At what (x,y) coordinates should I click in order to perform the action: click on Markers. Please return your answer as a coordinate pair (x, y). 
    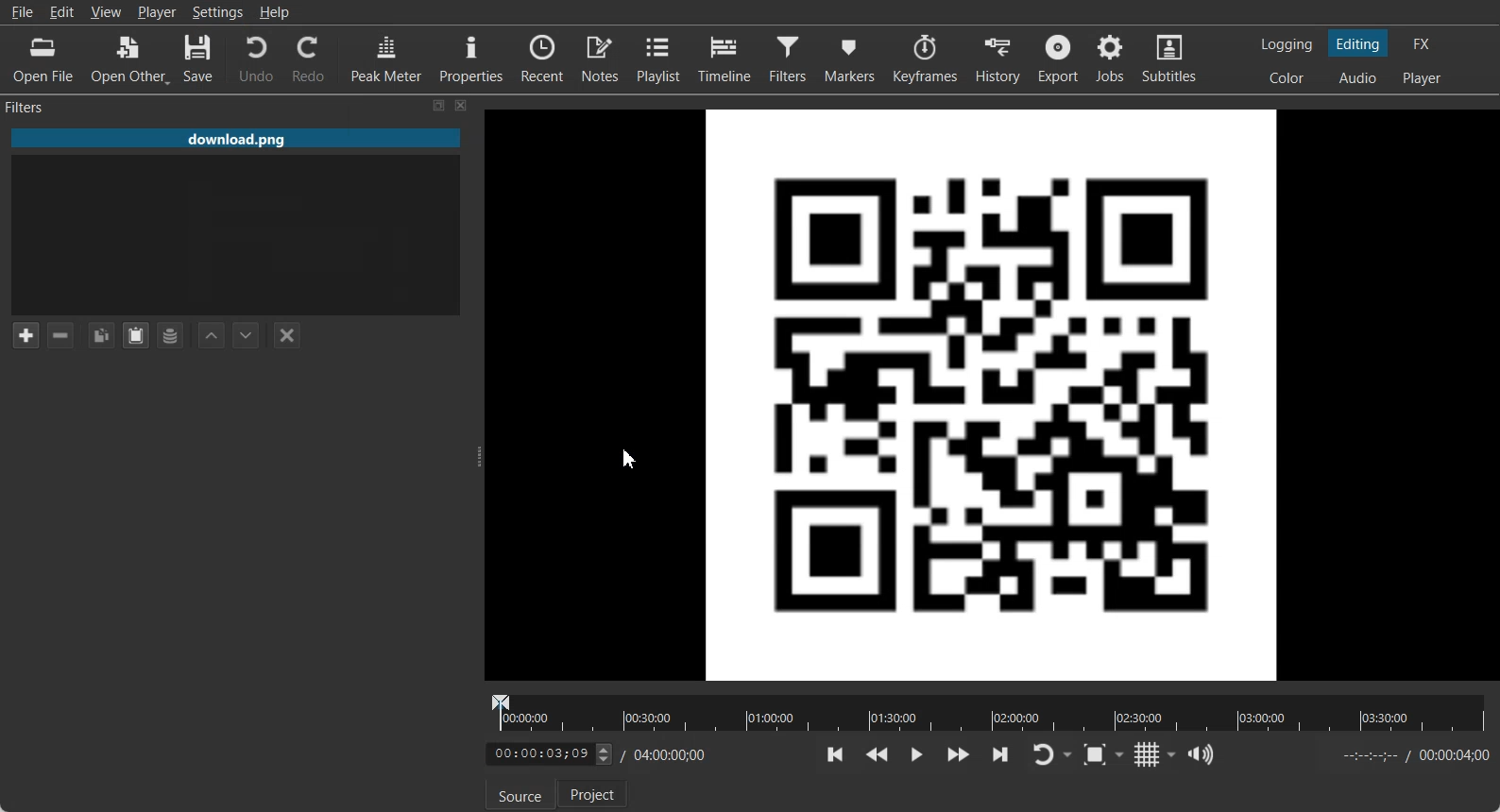
    Looking at the image, I should click on (848, 59).